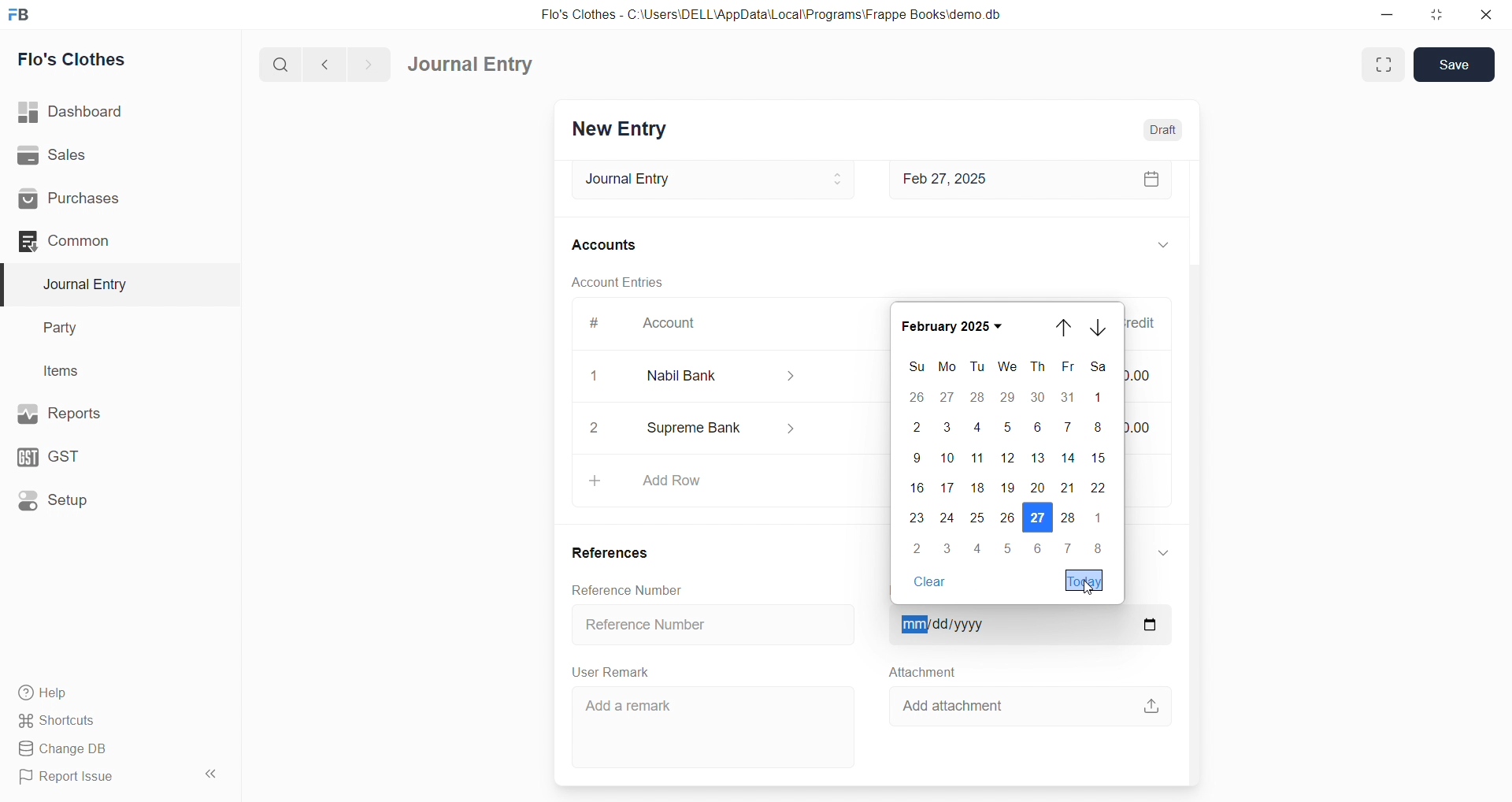  I want to click on minimize, so click(1384, 13).